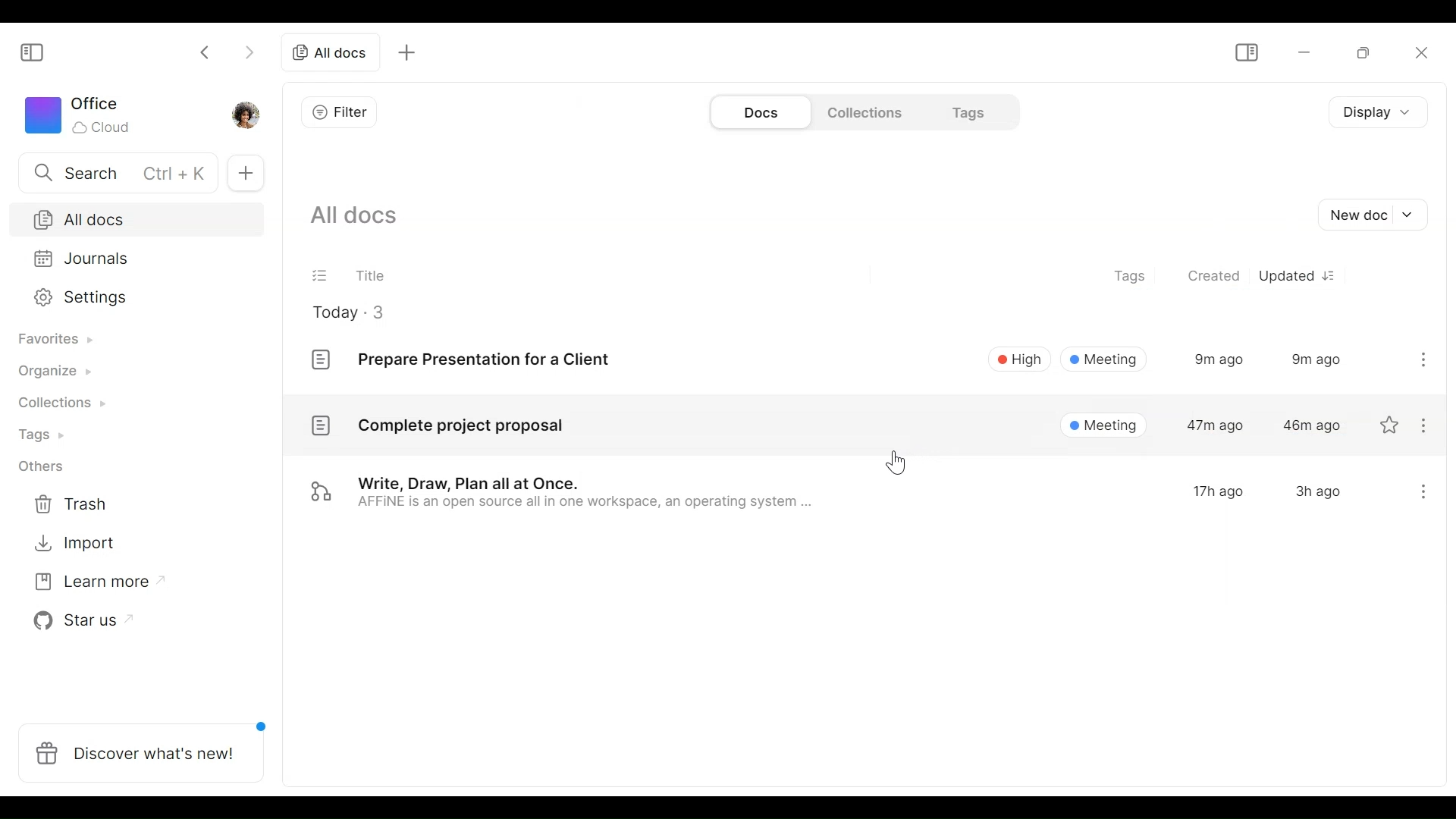 The height and width of the screenshot is (819, 1456). What do you see at coordinates (130, 217) in the screenshot?
I see `All documents` at bounding box center [130, 217].